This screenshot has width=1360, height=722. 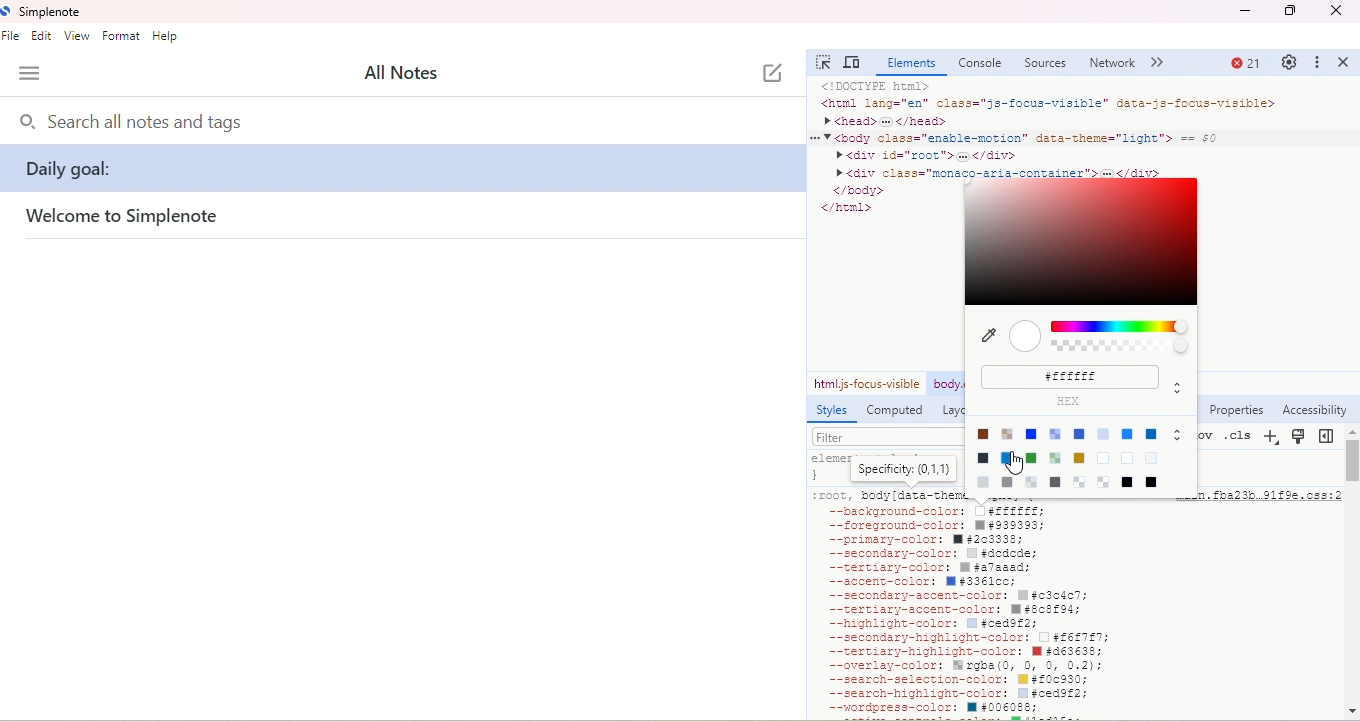 What do you see at coordinates (1236, 410) in the screenshot?
I see `properties` at bounding box center [1236, 410].